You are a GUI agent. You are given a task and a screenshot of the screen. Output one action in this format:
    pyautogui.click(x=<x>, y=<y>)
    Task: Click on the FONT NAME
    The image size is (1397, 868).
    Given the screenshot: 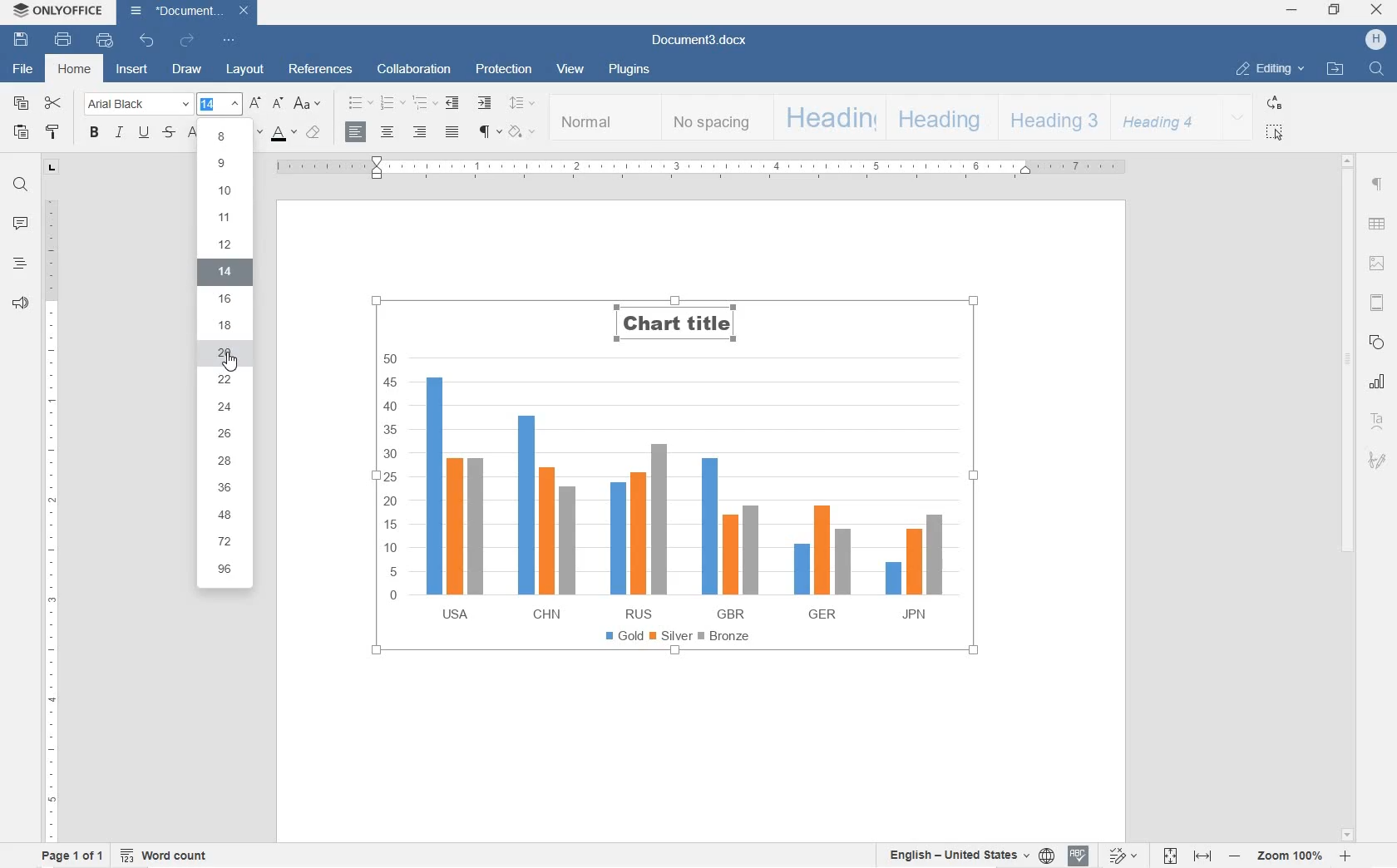 What is the action you would take?
    pyautogui.click(x=137, y=104)
    